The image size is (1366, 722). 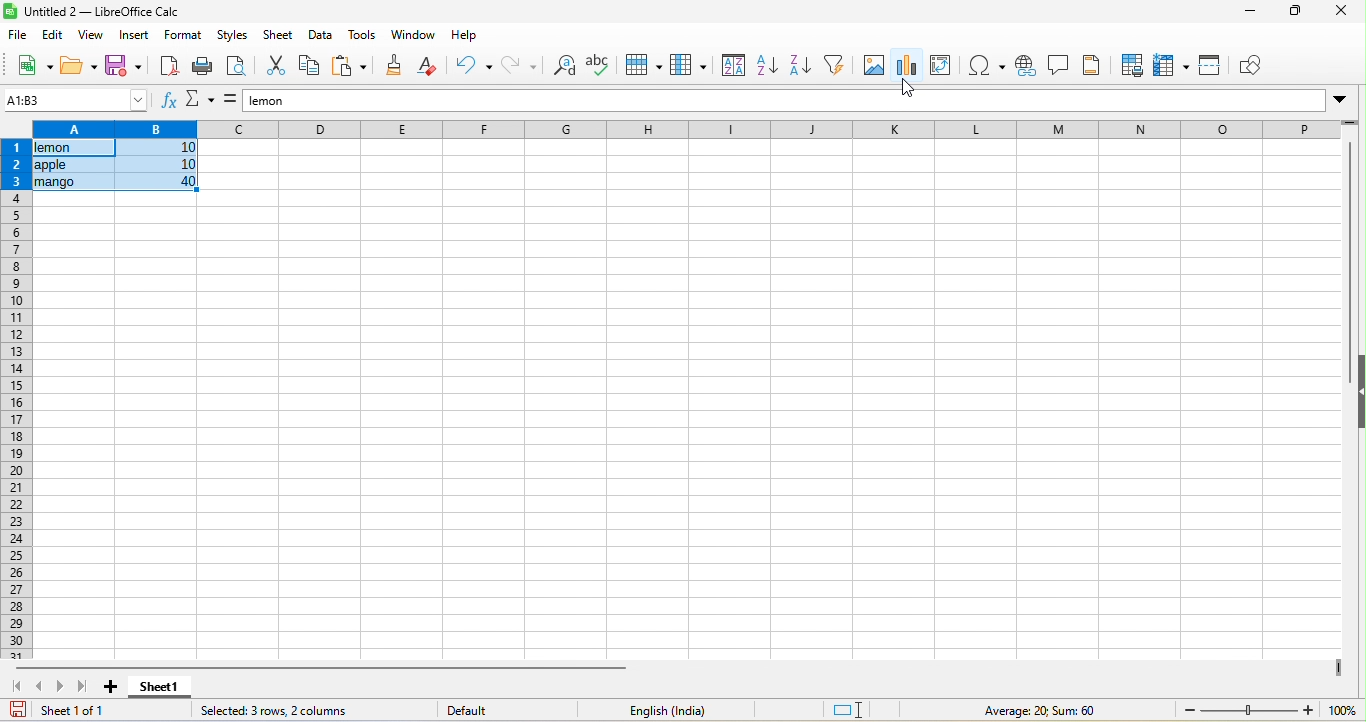 I want to click on scroll to first sheet, so click(x=18, y=687).